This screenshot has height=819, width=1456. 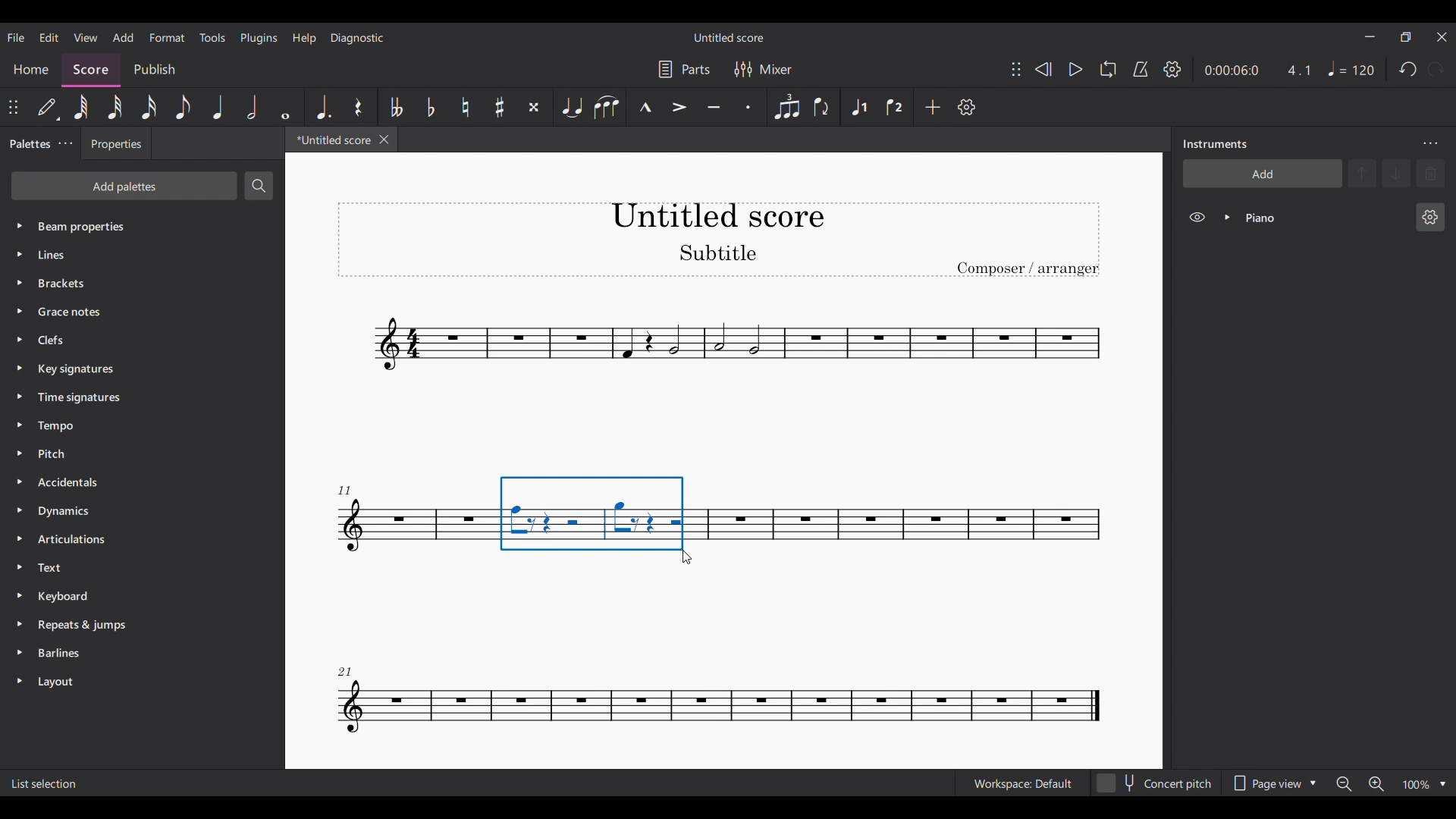 I want to click on Redo, so click(x=1436, y=69).